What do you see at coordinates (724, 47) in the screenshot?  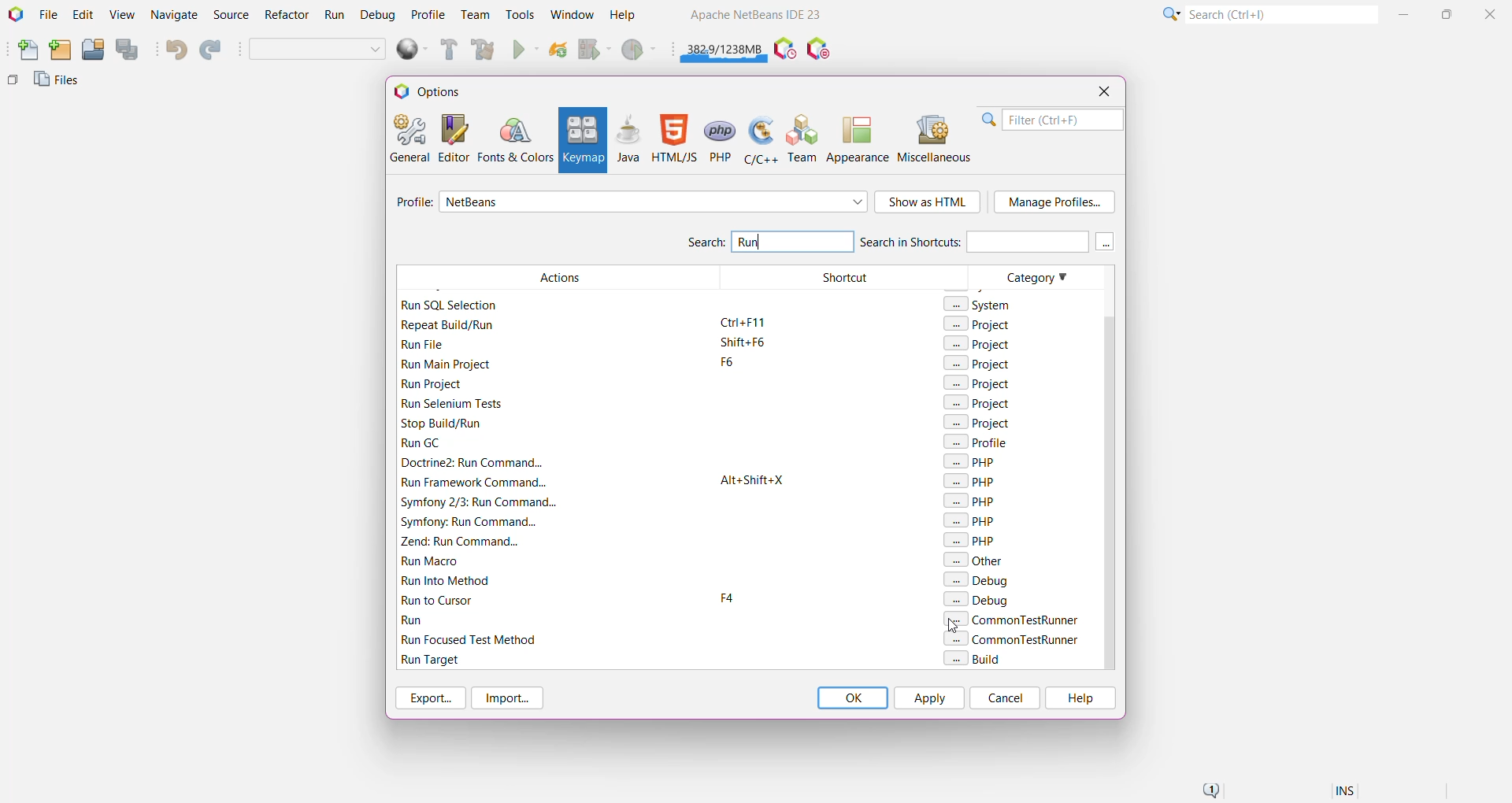 I see `Click to force garbage collection` at bounding box center [724, 47].